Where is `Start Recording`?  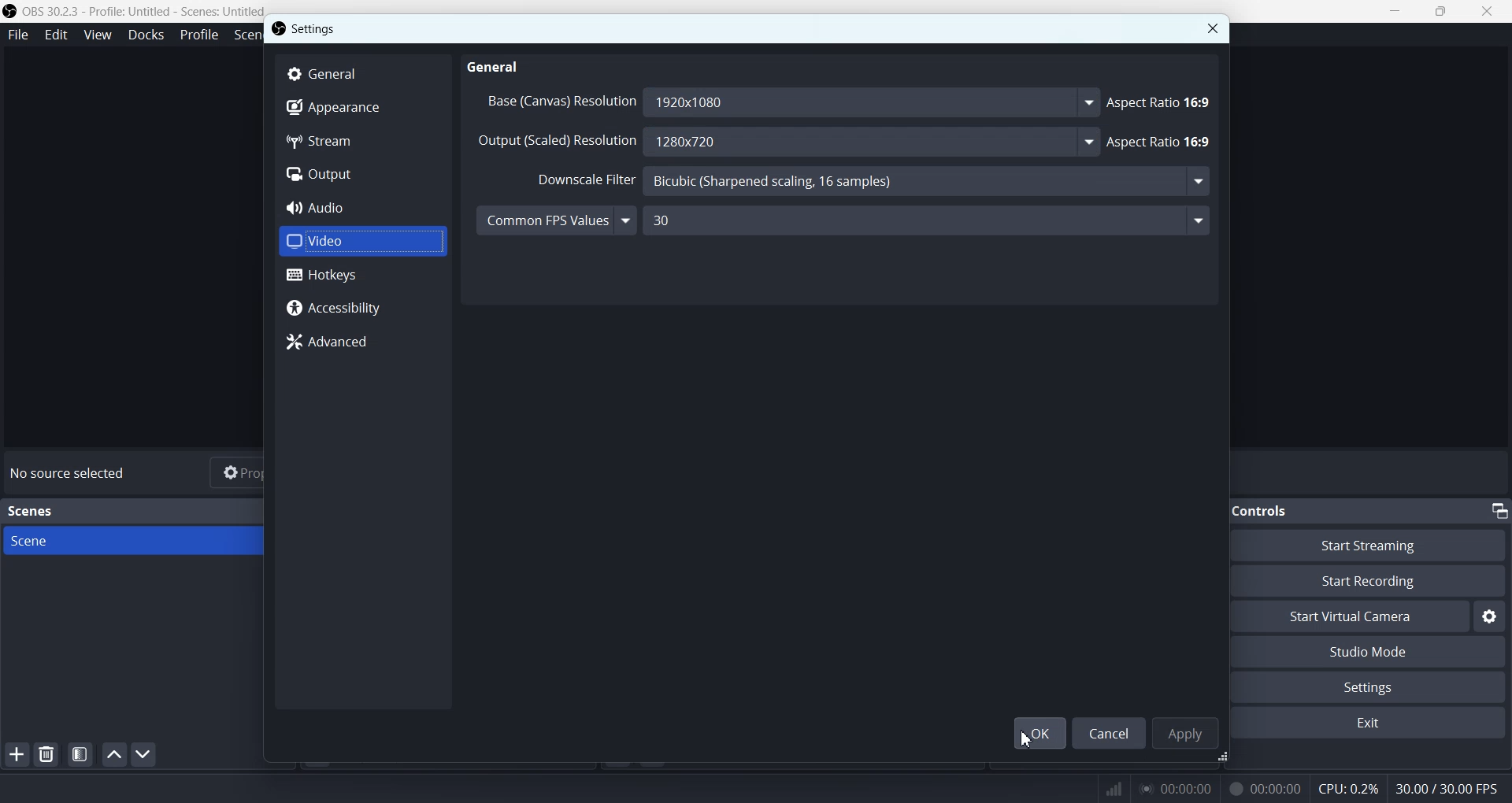
Start Recording is located at coordinates (1383, 581).